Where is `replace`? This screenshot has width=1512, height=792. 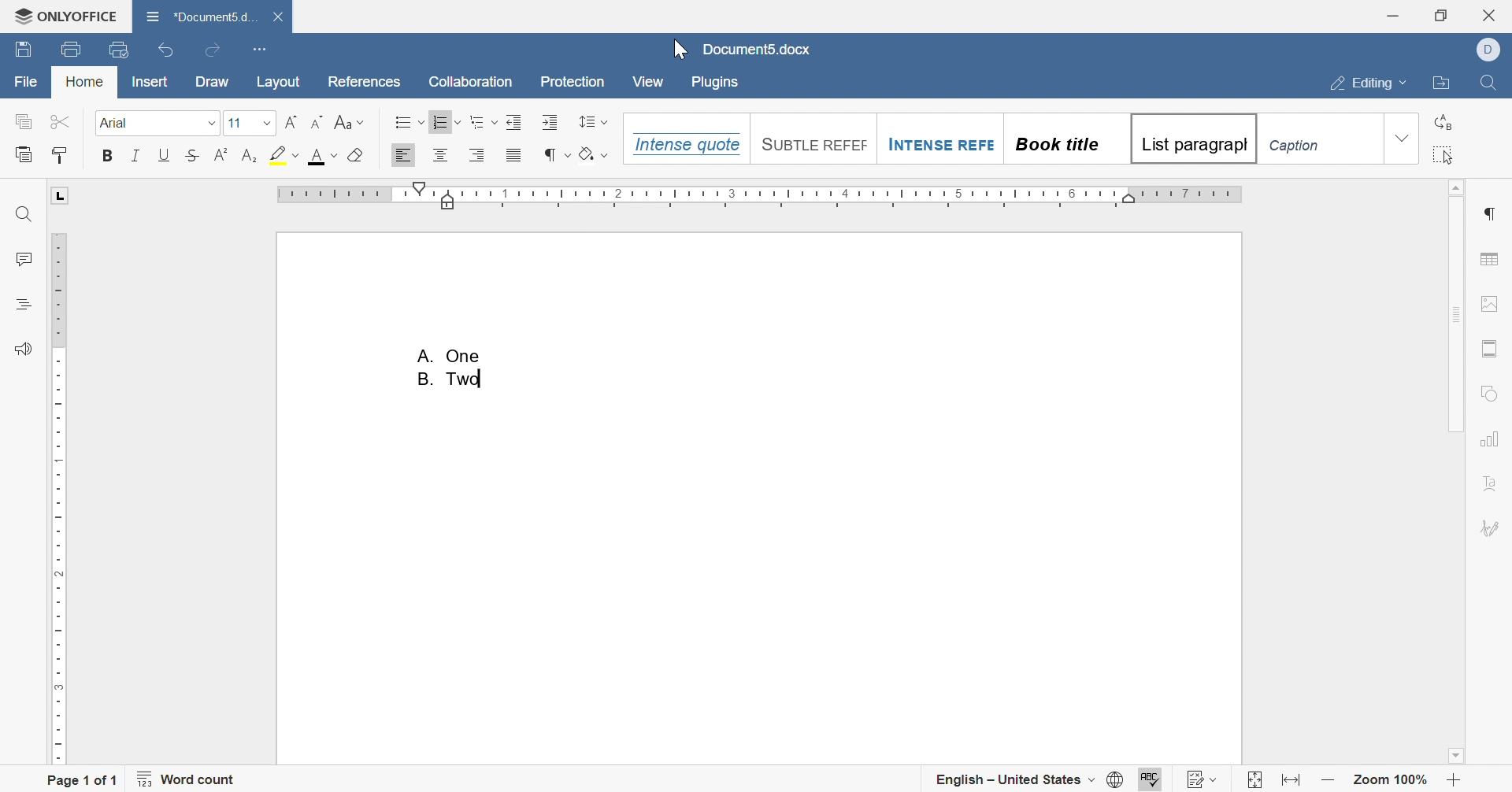 replace is located at coordinates (1446, 121).